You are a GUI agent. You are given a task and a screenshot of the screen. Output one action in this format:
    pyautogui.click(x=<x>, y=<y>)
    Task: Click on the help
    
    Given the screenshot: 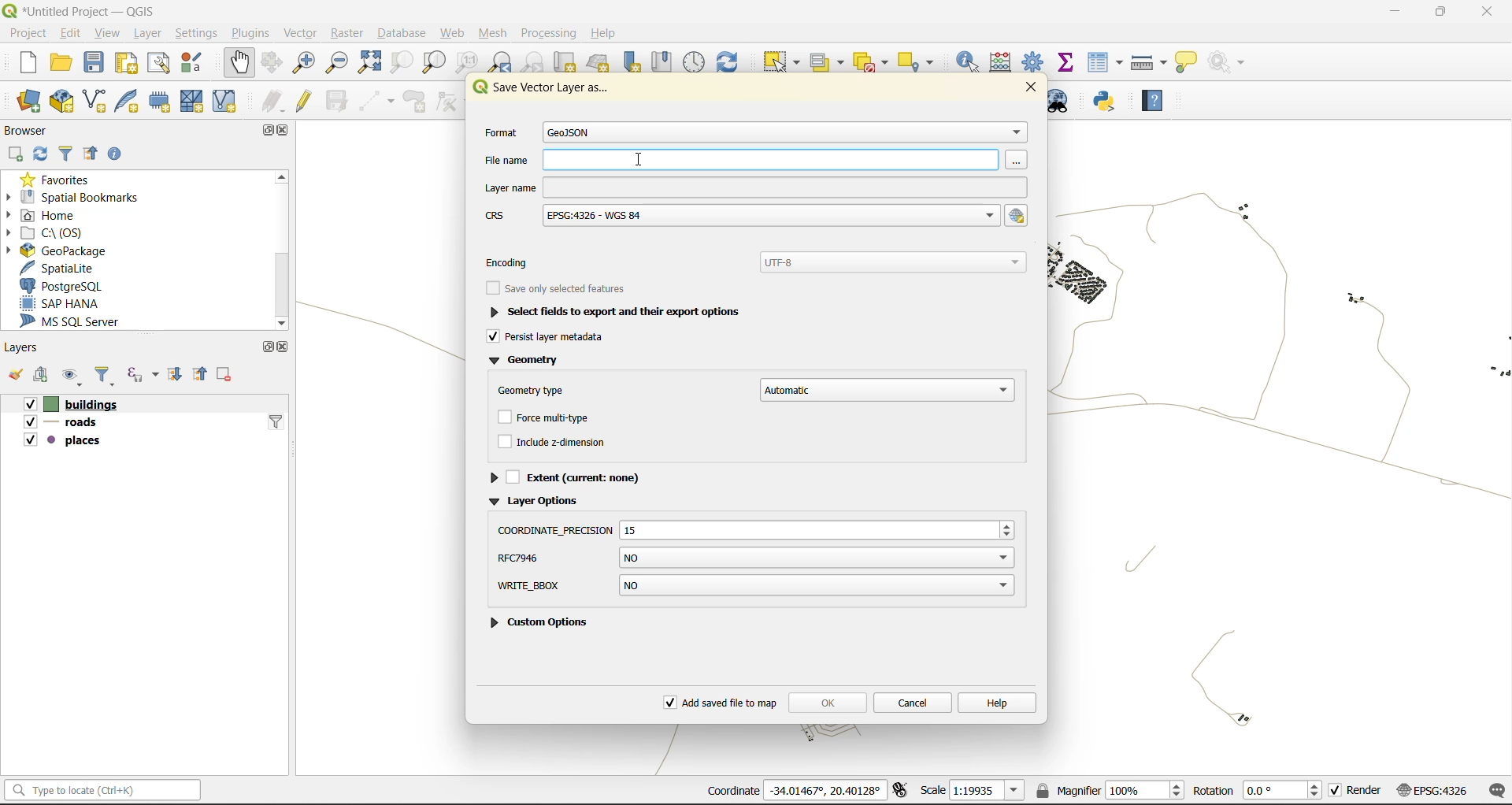 What is the action you would take?
    pyautogui.click(x=997, y=702)
    